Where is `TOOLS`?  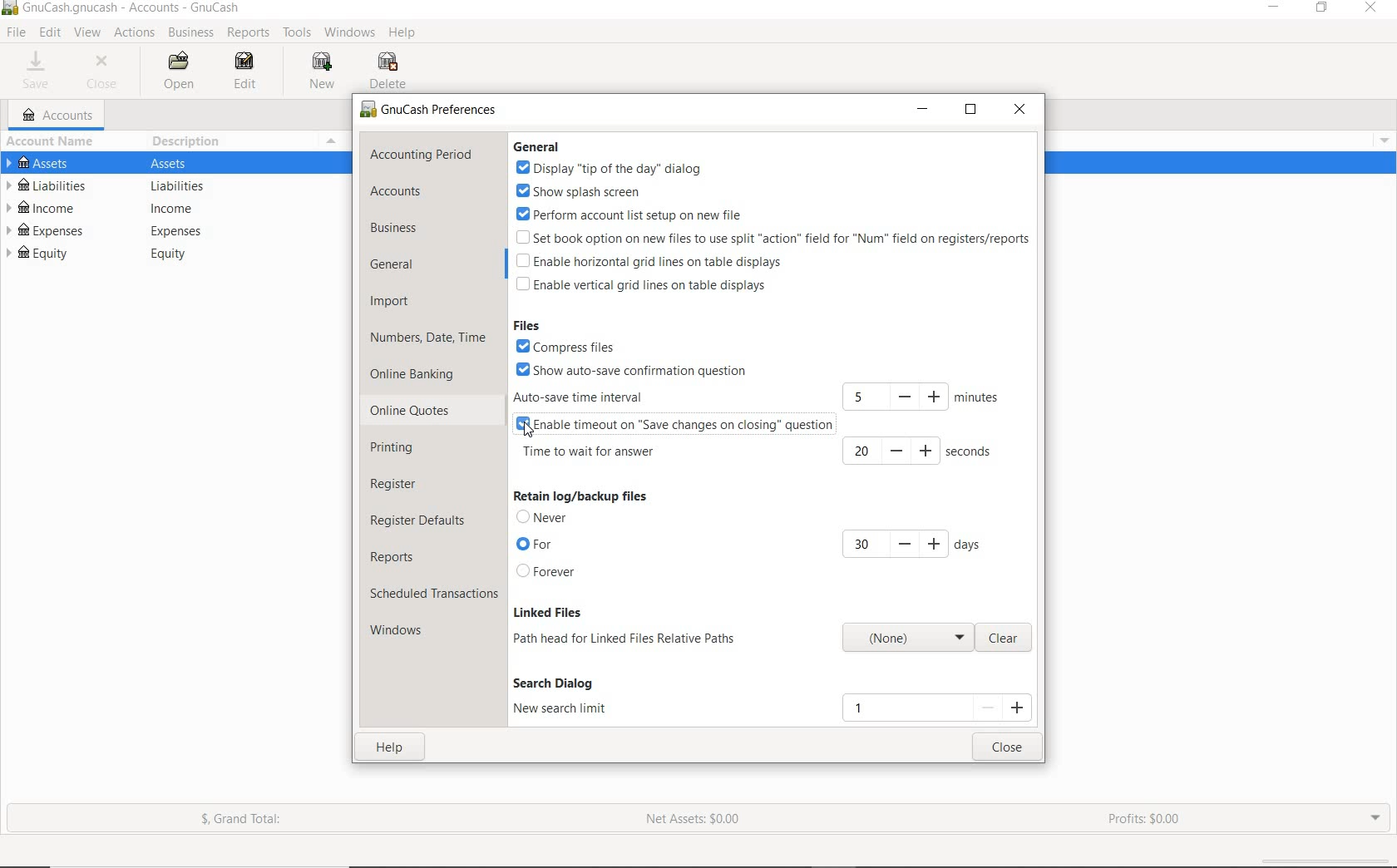 TOOLS is located at coordinates (297, 33).